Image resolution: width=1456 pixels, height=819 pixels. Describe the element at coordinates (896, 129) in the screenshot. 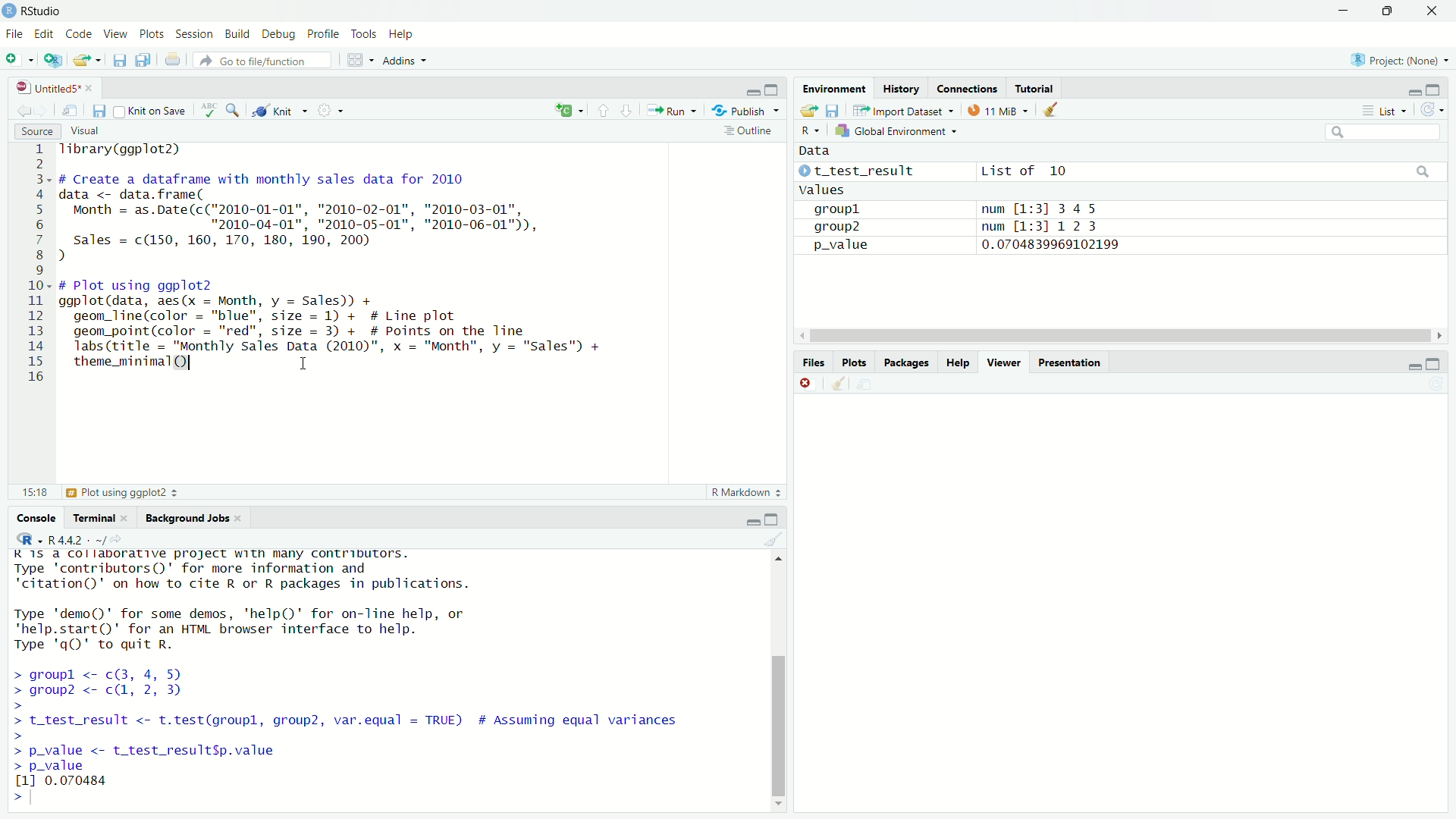

I see `# Global Environment =` at that location.